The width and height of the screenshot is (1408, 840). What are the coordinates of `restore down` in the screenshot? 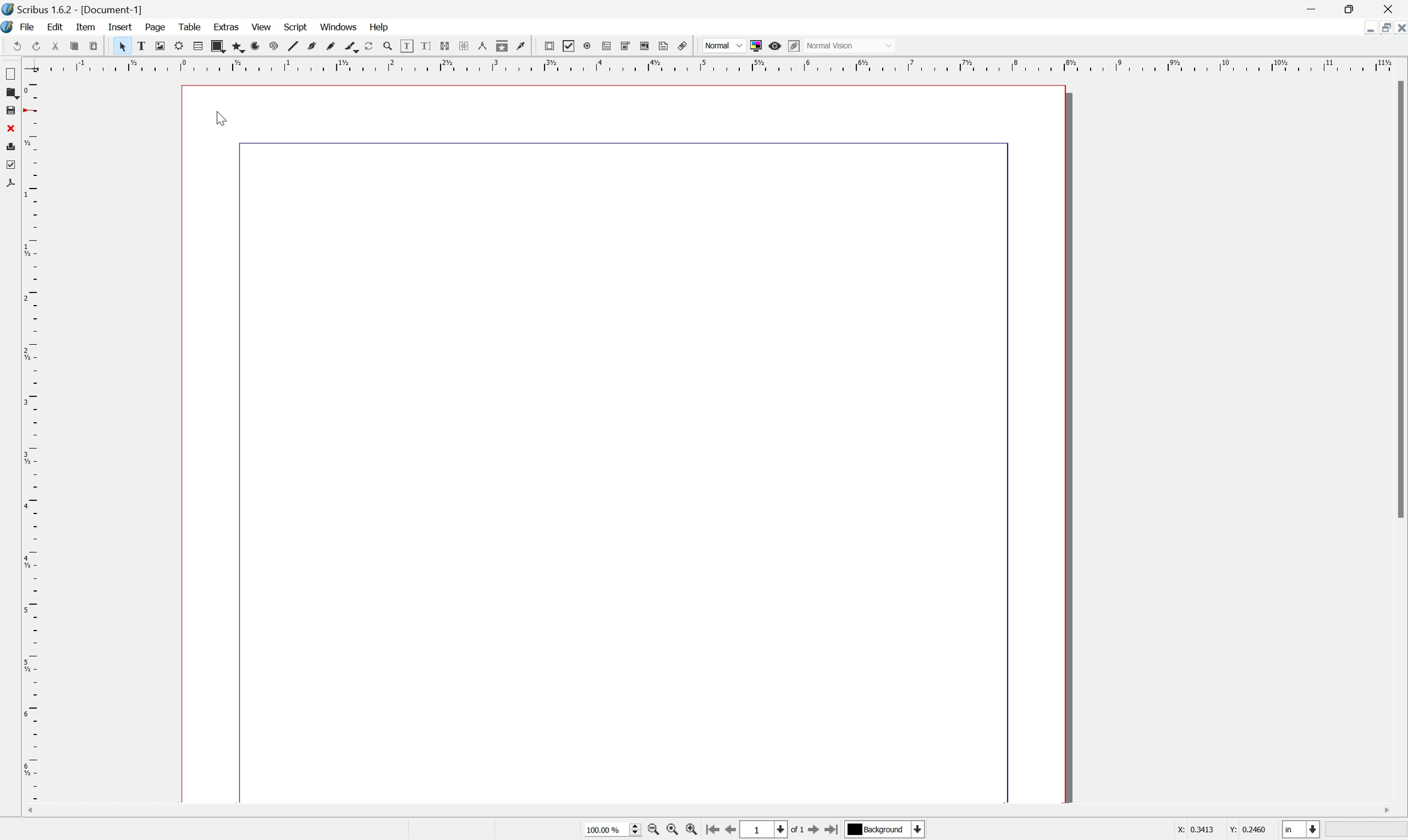 It's located at (1351, 8).